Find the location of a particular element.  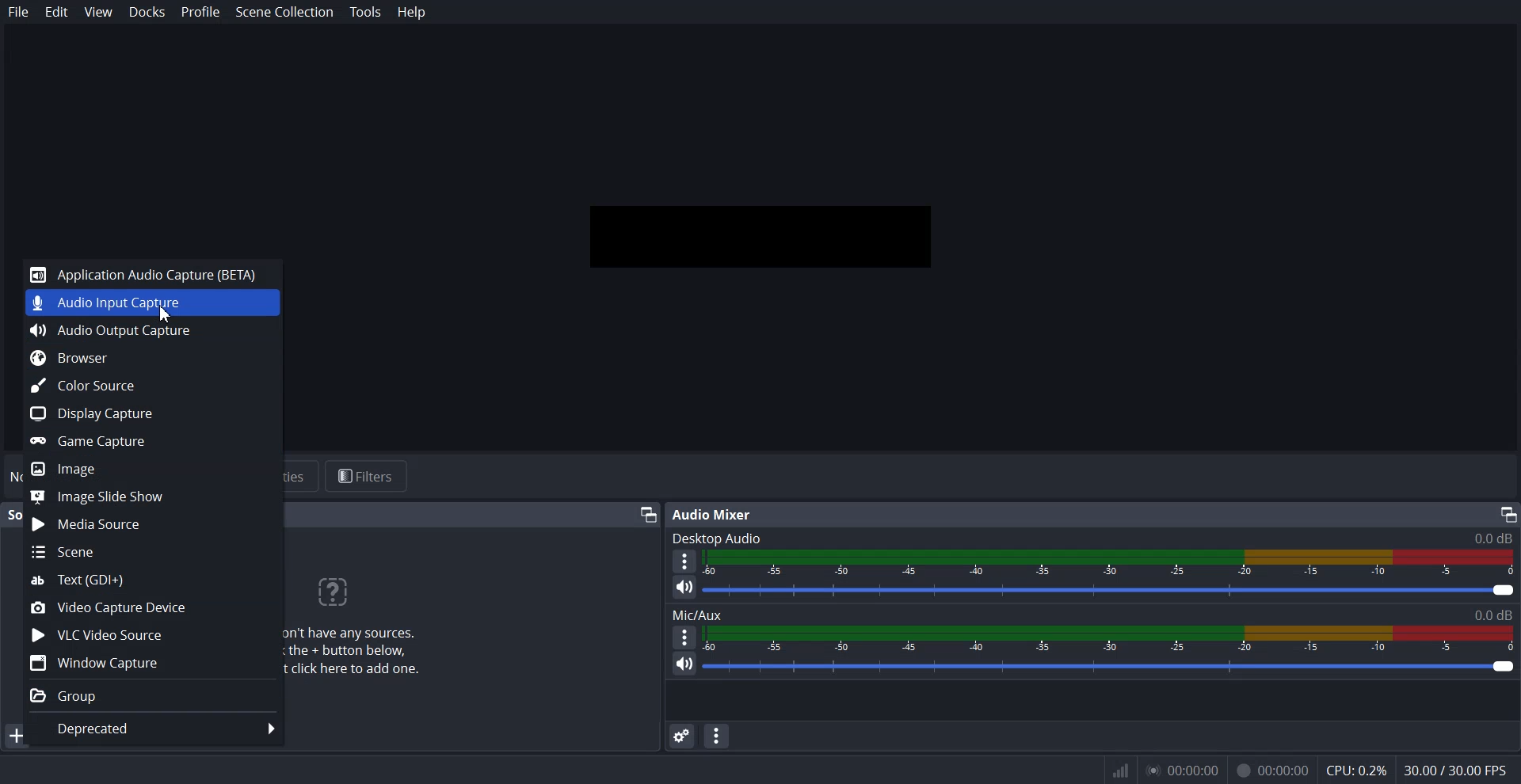

Volume Indicator is located at coordinates (1109, 641).